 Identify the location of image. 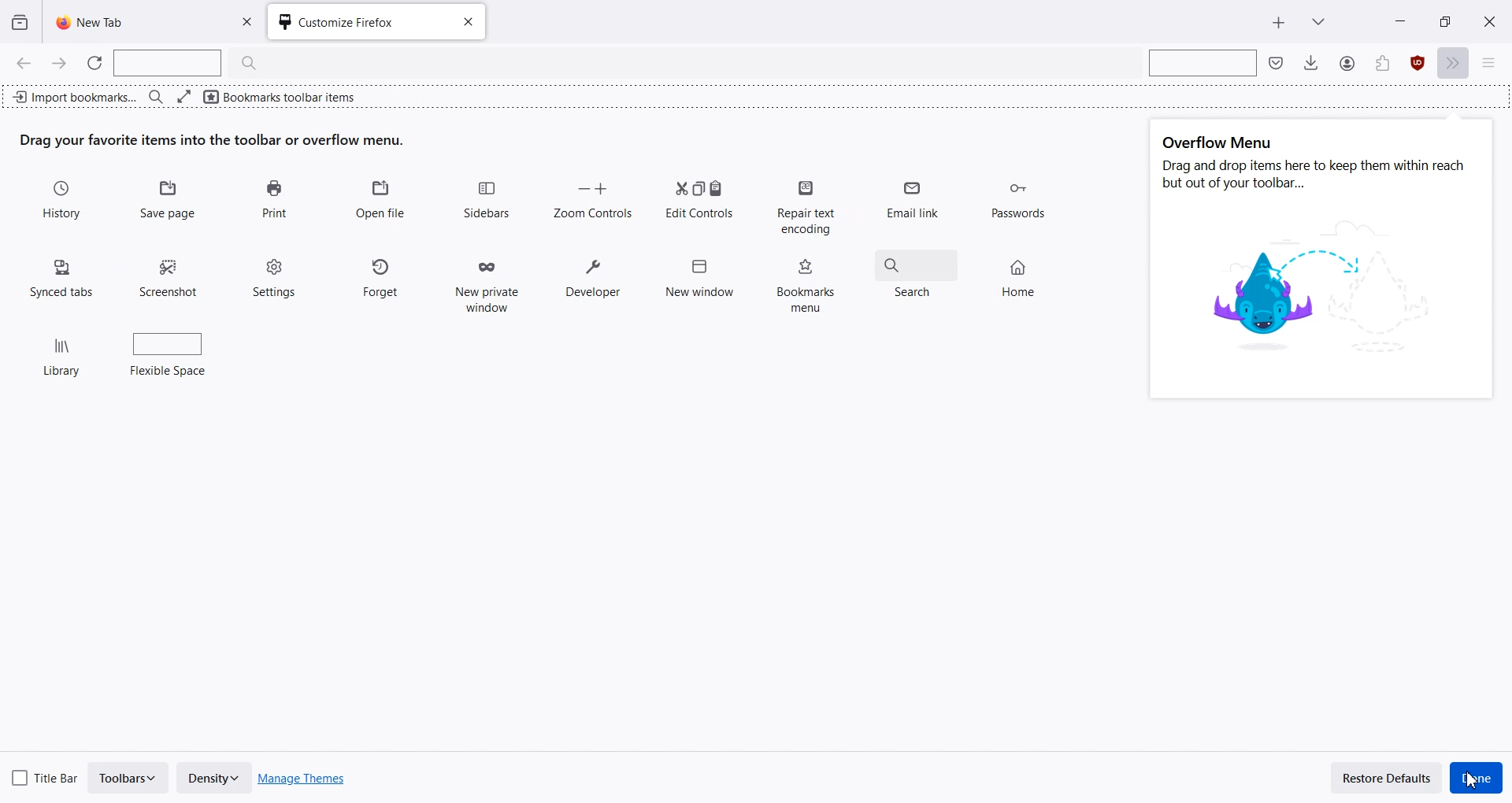
(1317, 287).